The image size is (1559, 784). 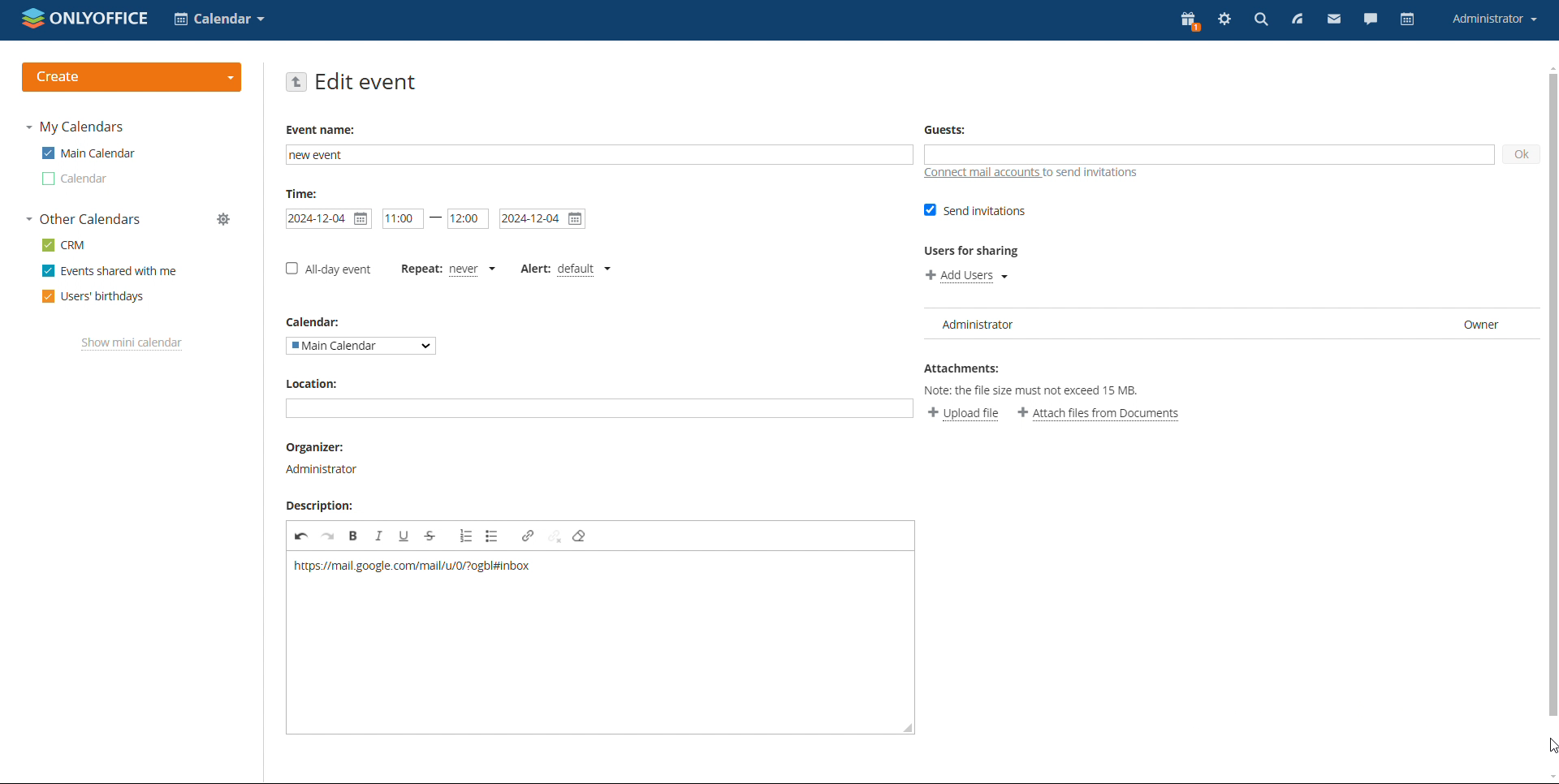 What do you see at coordinates (528, 536) in the screenshot?
I see `link` at bounding box center [528, 536].